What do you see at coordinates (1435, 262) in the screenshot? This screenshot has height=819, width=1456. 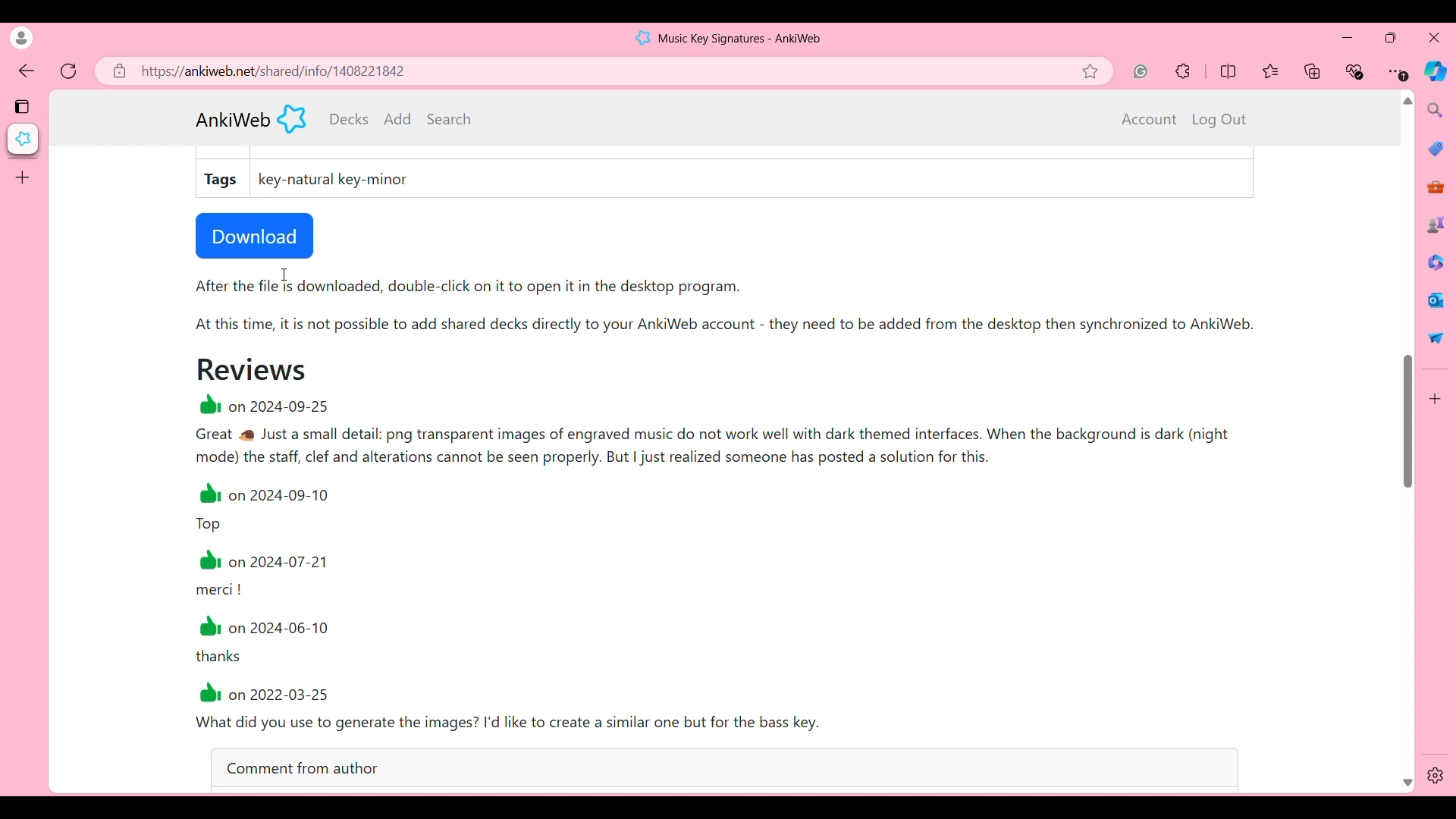 I see `Browser documents` at bounding box center [1435, 262].